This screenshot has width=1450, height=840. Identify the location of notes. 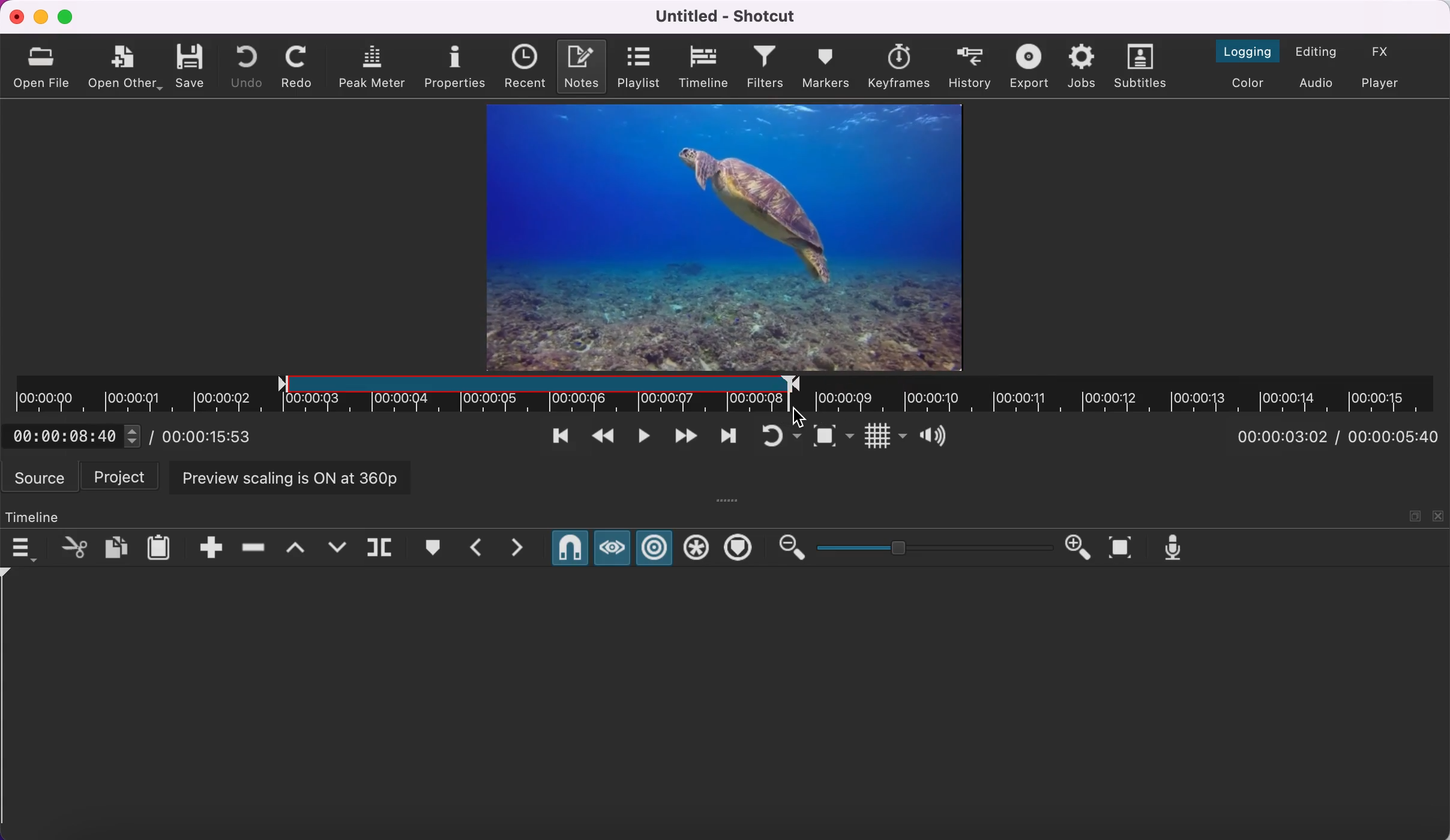
(583, 66).